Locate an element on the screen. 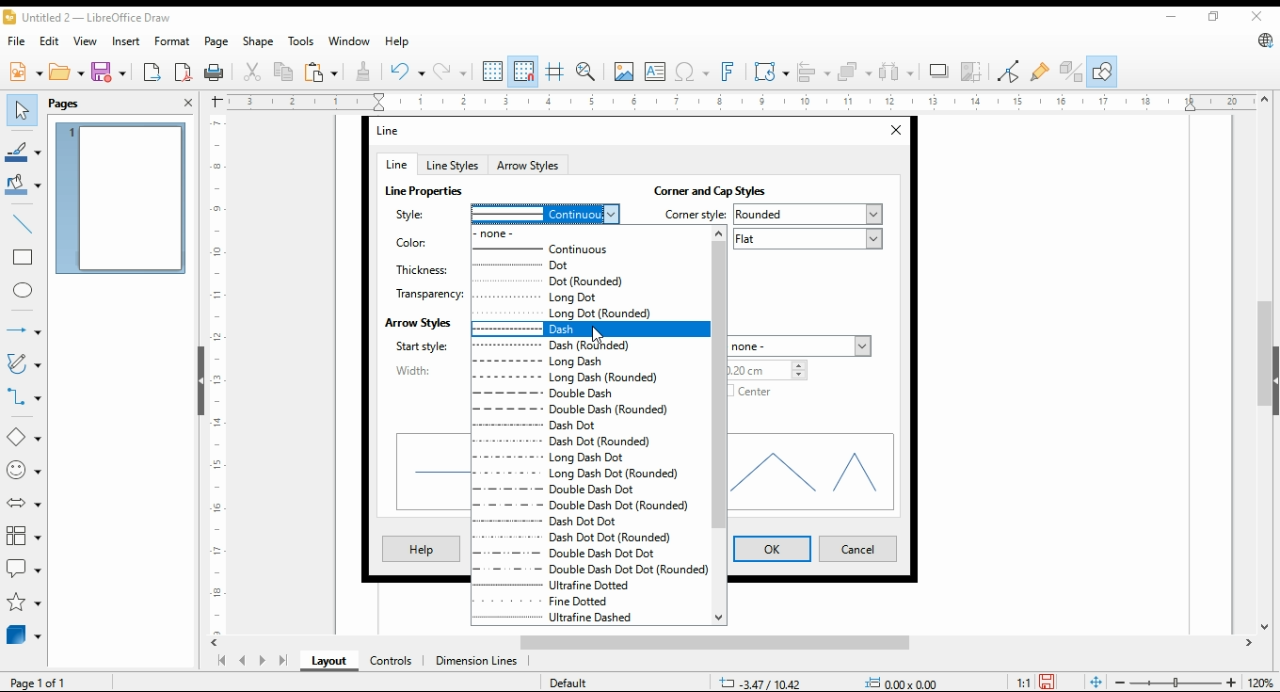 This screenshot has width=1280, height=692. start style is located at coordinates (421, 346).